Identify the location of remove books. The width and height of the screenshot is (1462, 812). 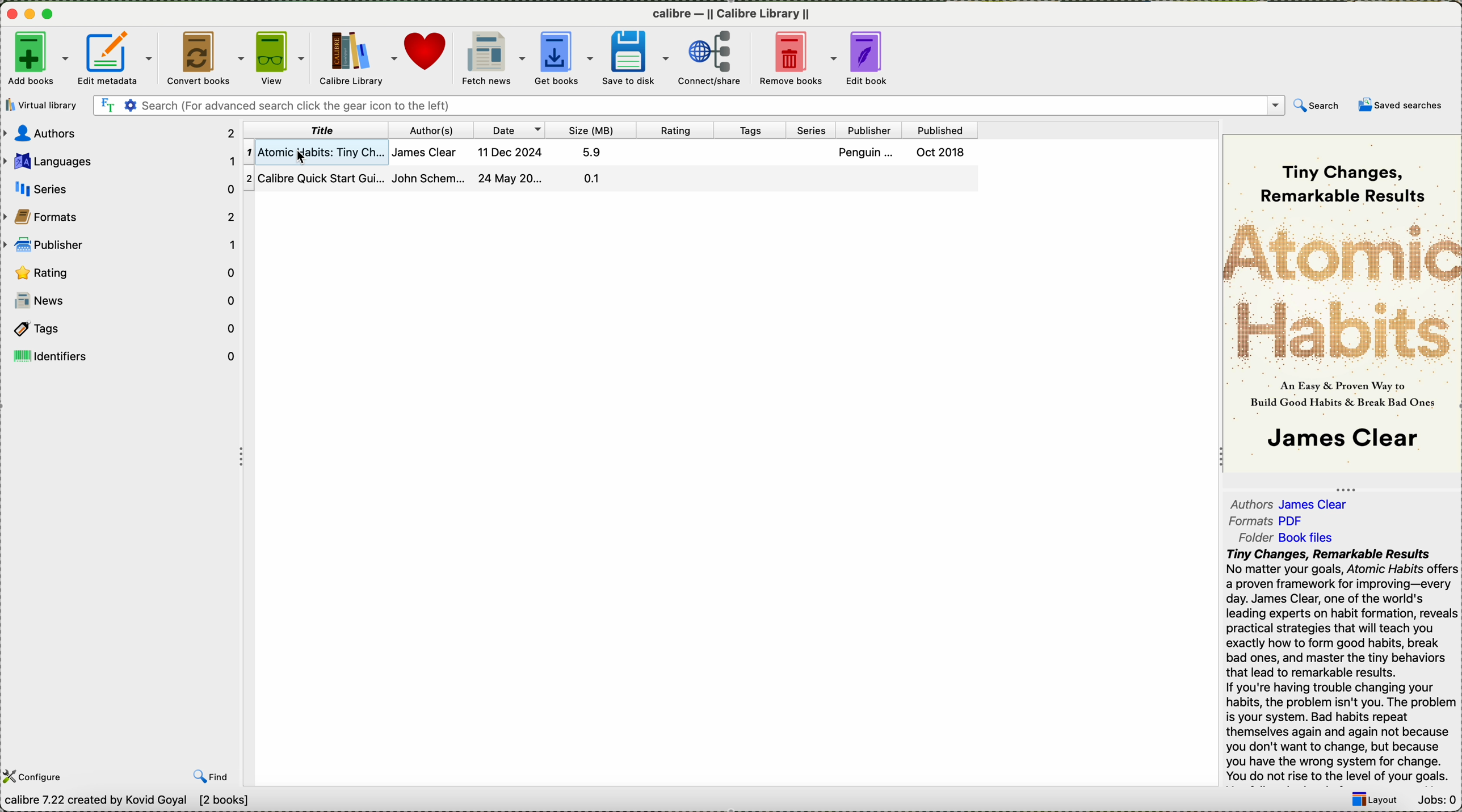
(799, 60).